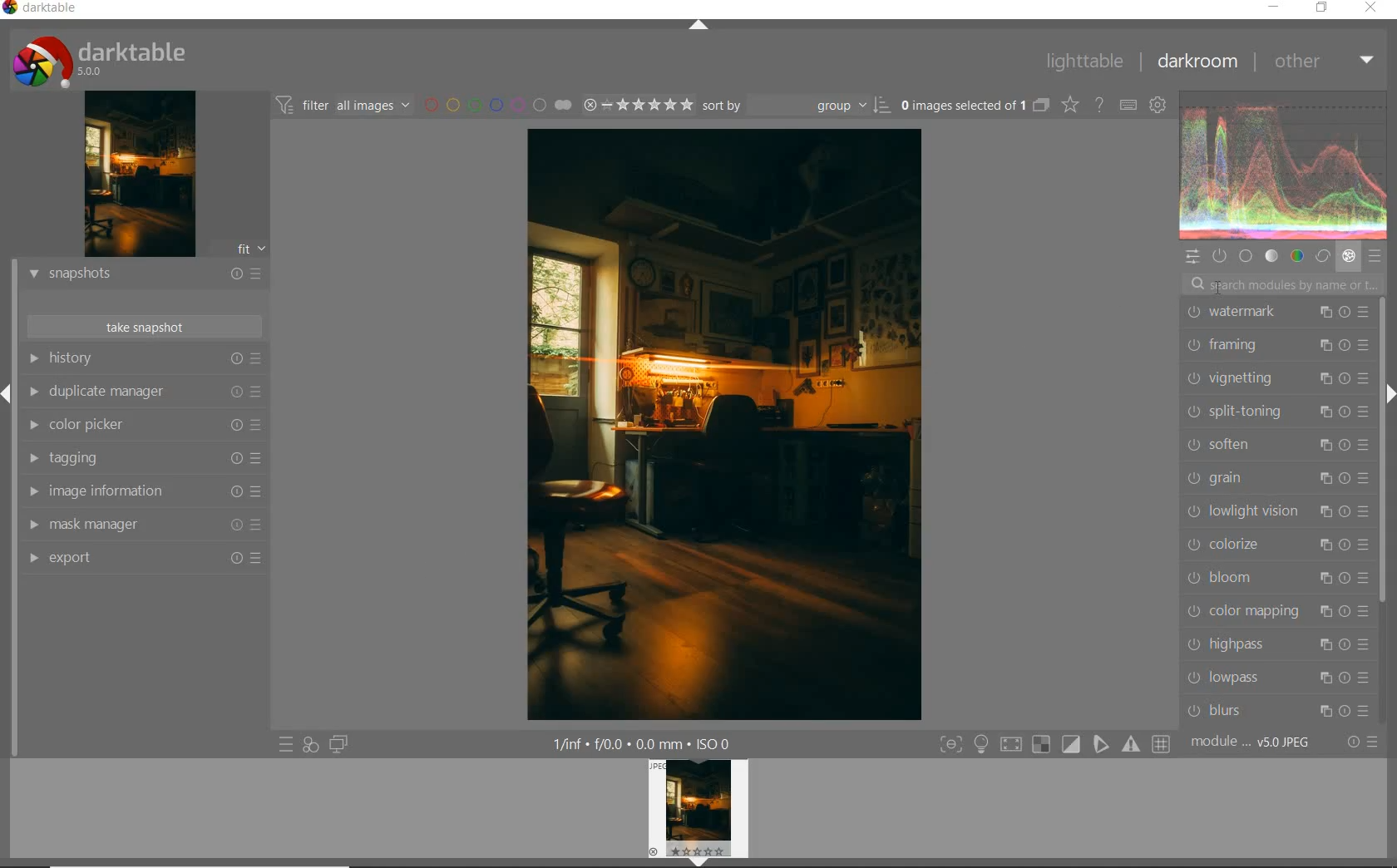  I want to click on filter images based on their modules, so click(343, 105).